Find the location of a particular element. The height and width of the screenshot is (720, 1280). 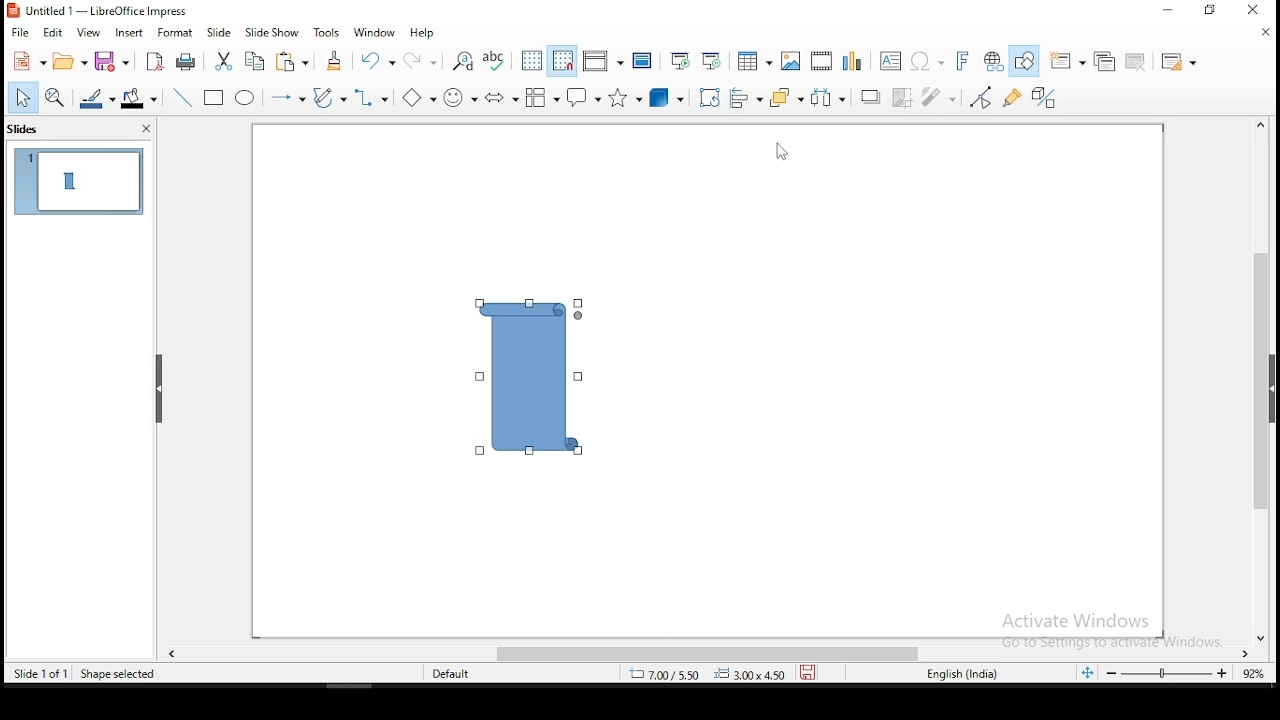

shadow is located at coordinates (868, 97).